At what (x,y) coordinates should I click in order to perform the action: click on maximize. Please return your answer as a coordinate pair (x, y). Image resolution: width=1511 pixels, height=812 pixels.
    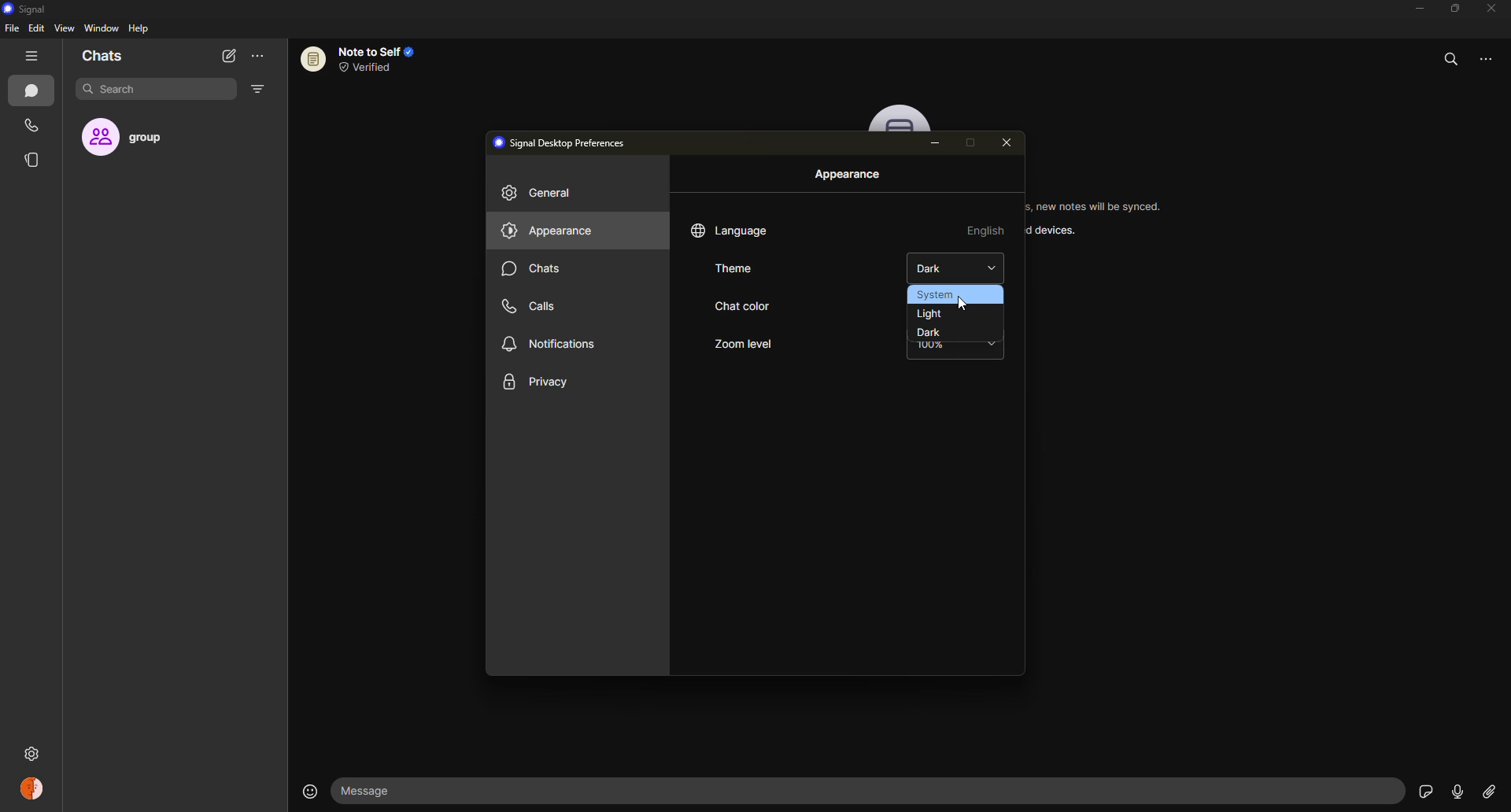
    Looking at the image, I should click on (1451, 9).